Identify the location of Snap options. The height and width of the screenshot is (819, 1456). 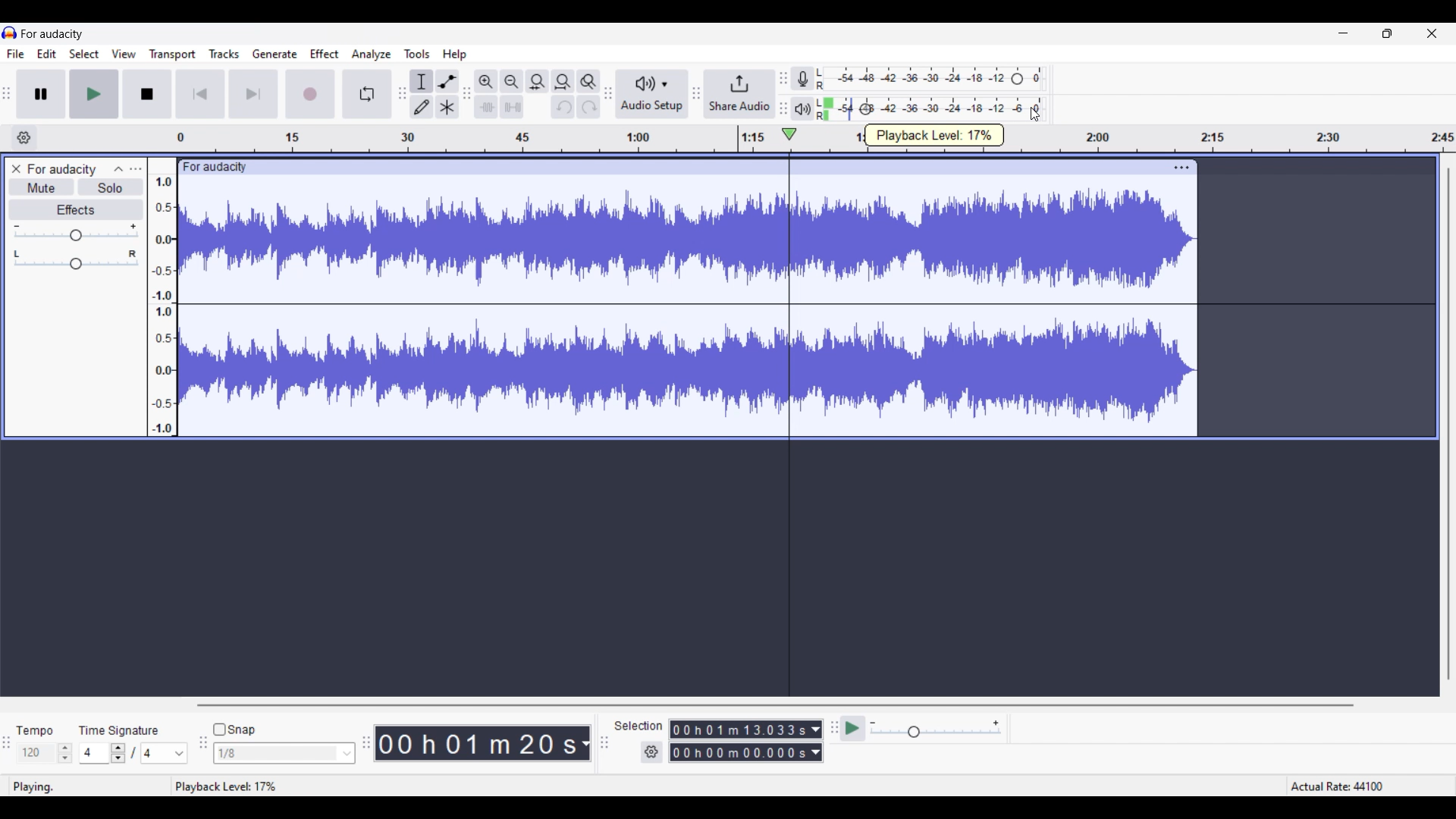
(285, 753).